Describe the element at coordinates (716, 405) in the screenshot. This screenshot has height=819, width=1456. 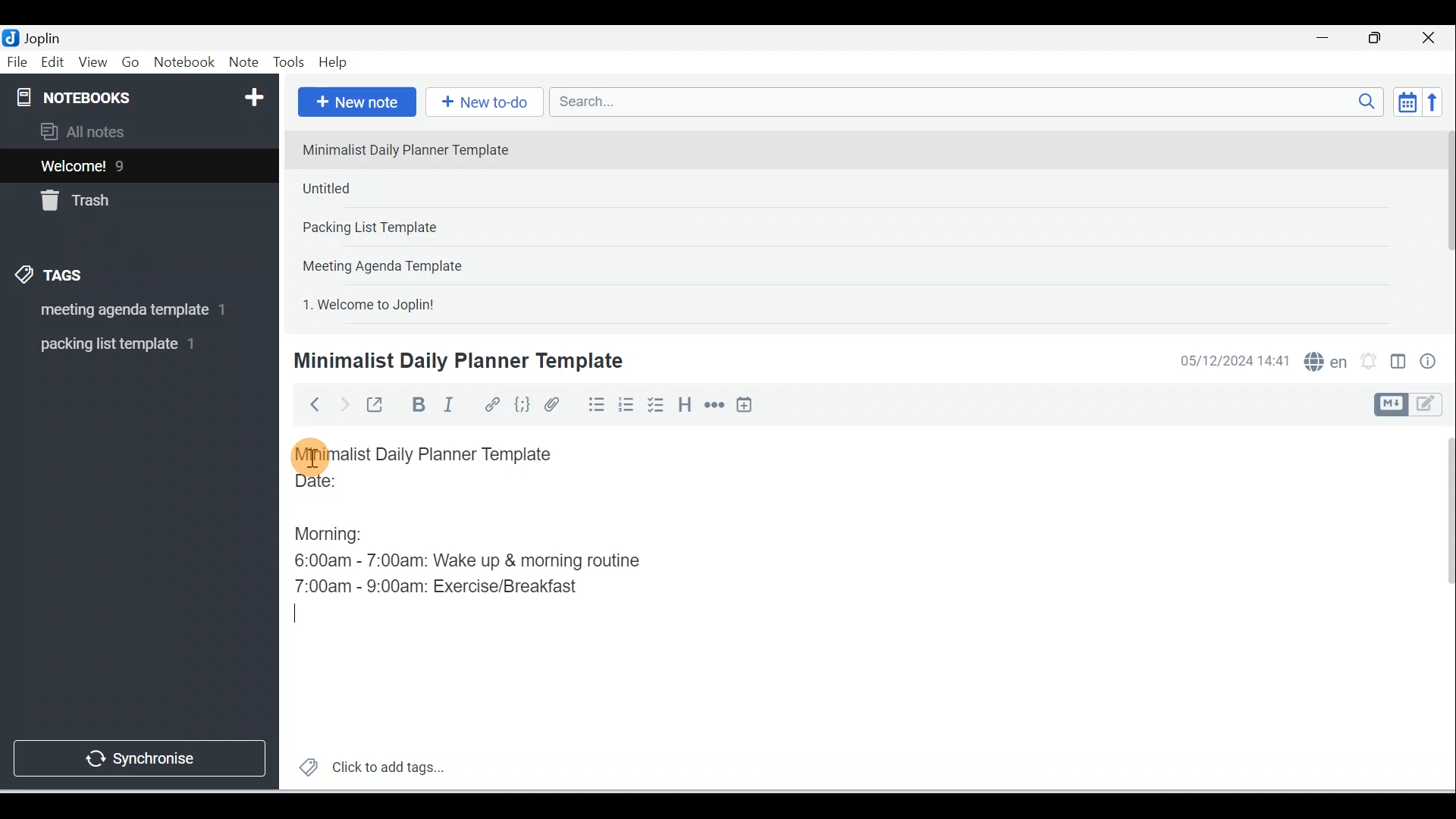
I see `Horizontal rule` at that location.